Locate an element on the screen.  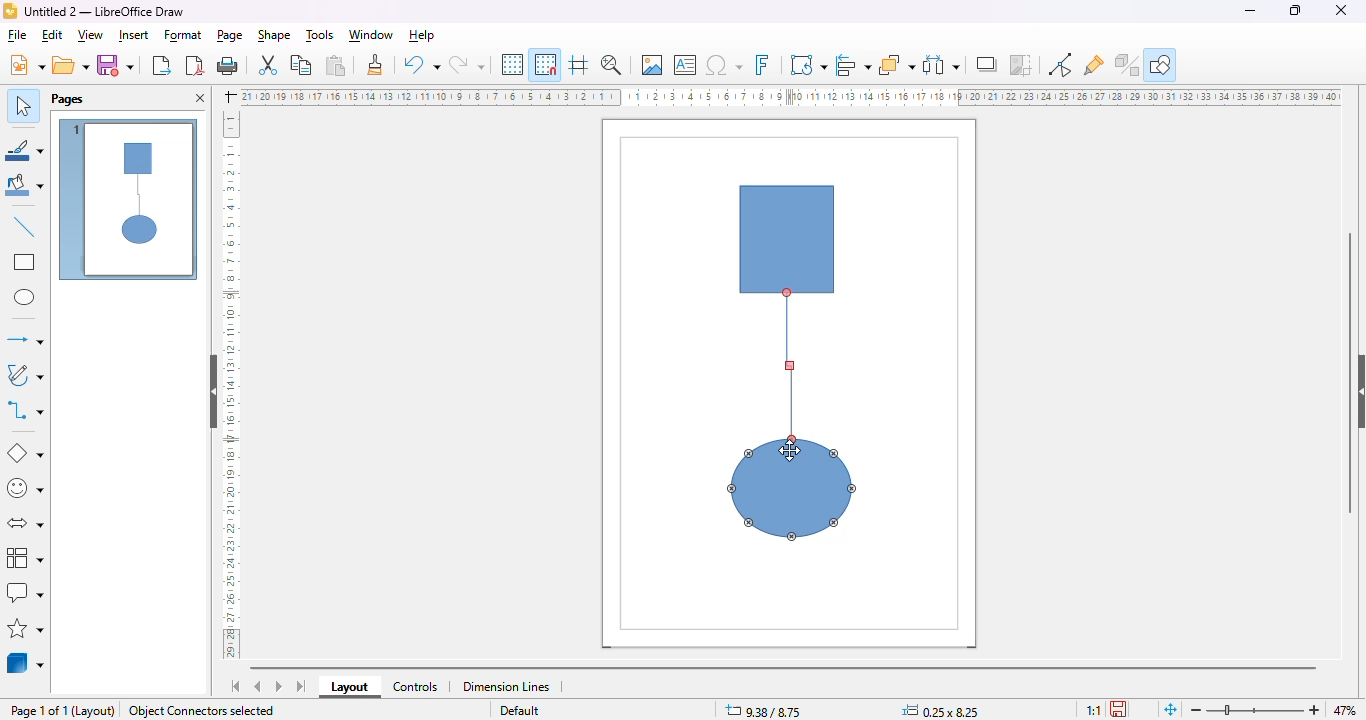
zoom factor is located at coordinates (1346, 709).